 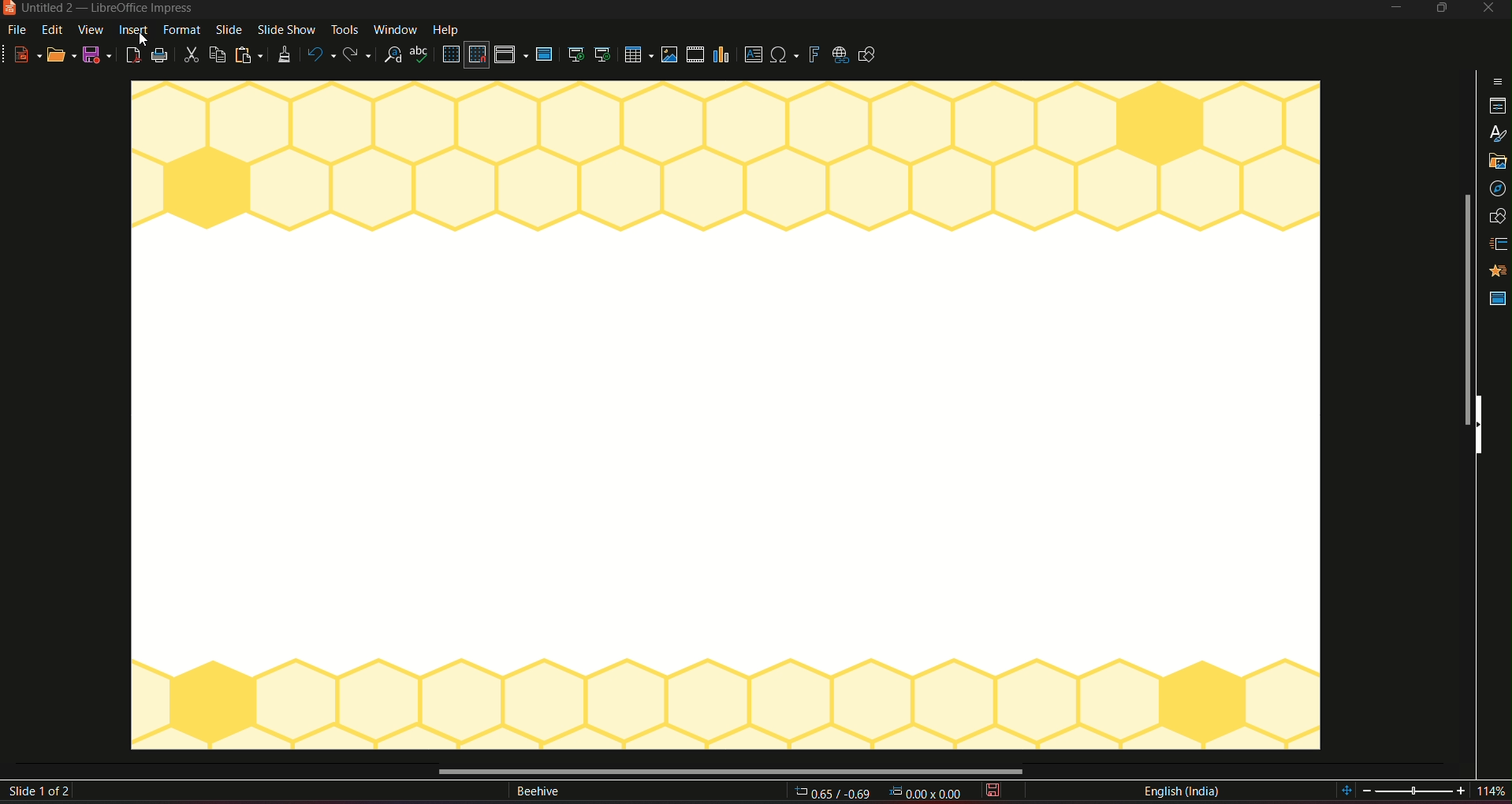 What do you see at coordinates (23, 54) in the screenshot?
I see `new` at bounding box center [23, 54].